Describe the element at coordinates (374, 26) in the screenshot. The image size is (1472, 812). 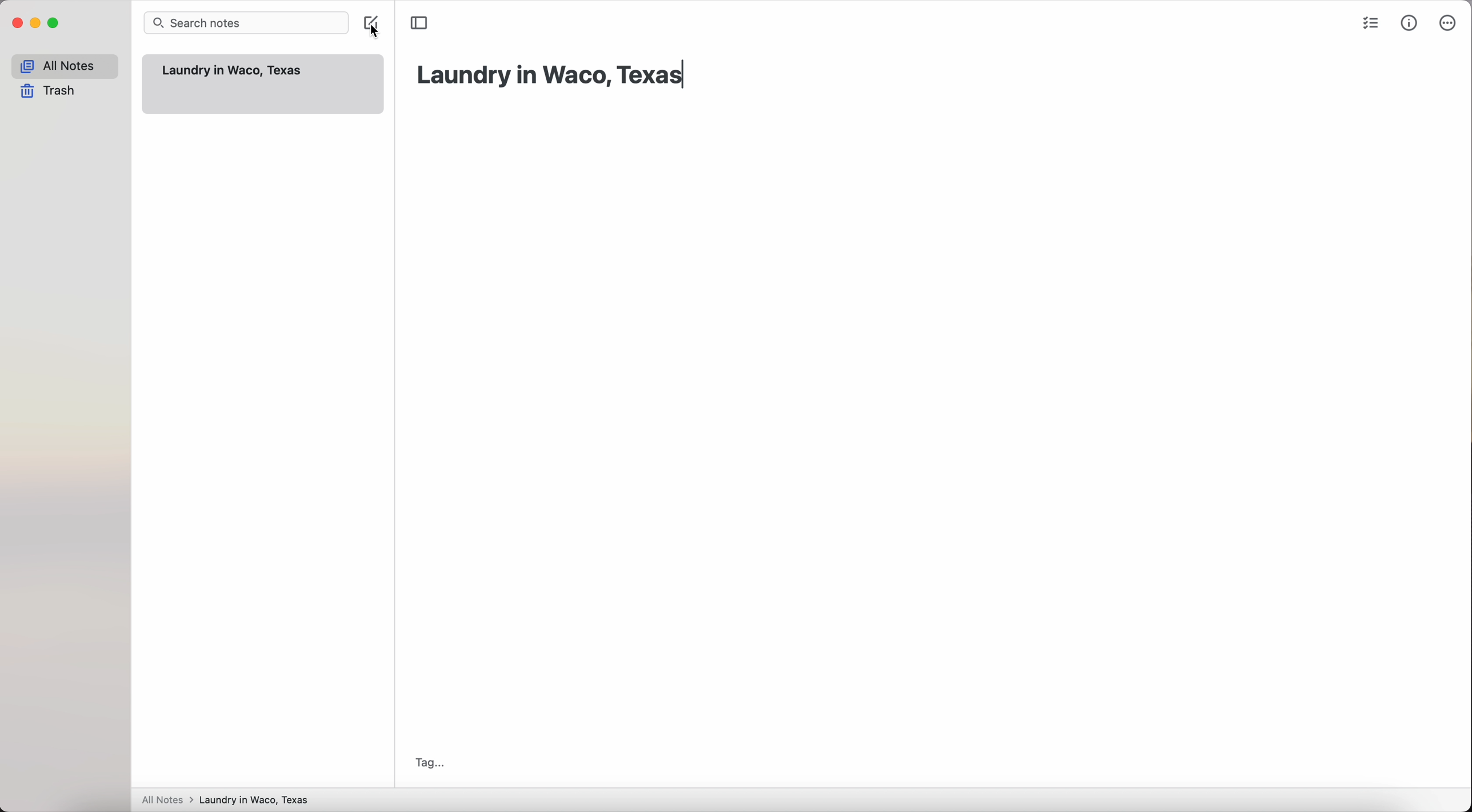
I see `click on create note` at that location.